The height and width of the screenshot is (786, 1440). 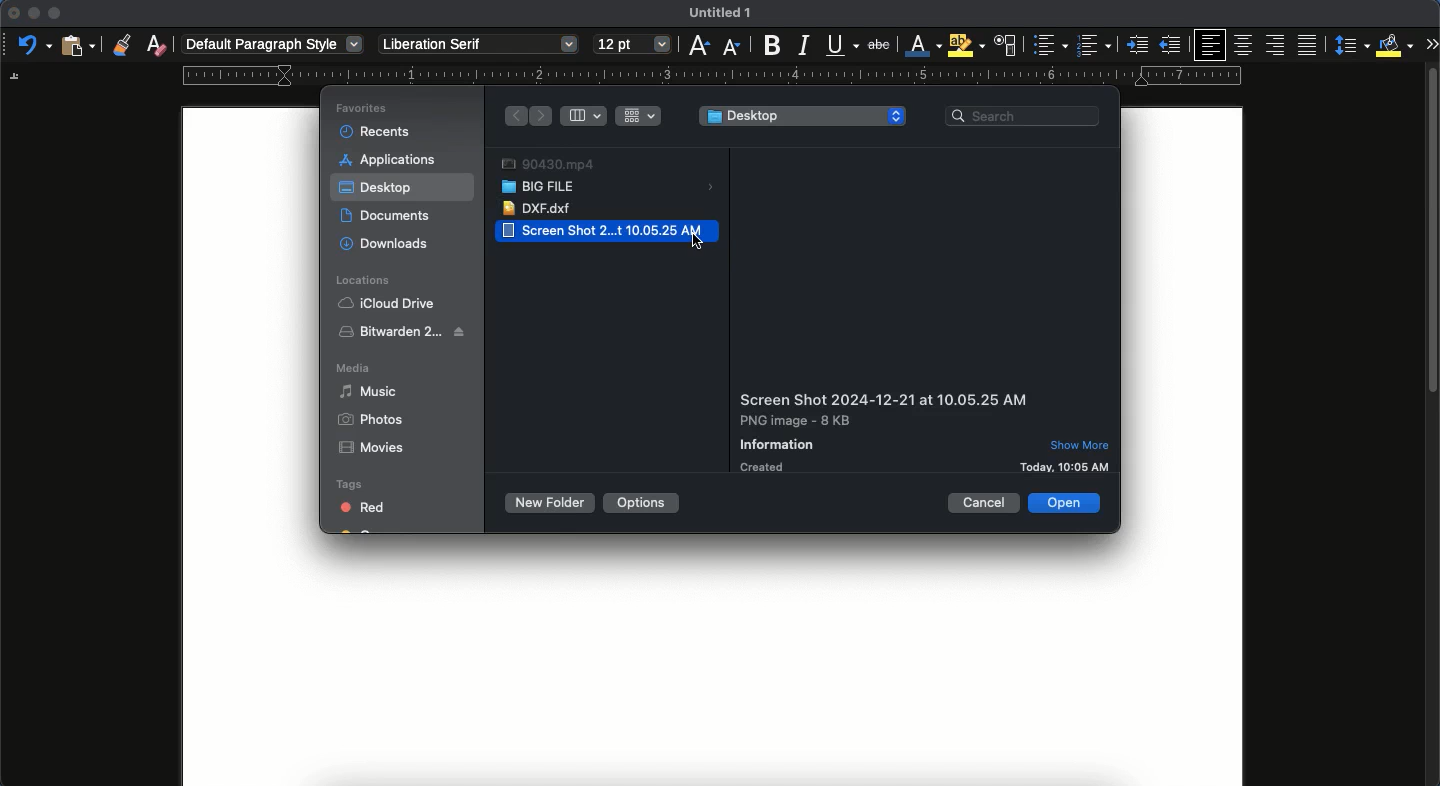 What do you see at coordinates (359, 109) in the screenshot?
I see `favorites` at bounding box center [359, 109].